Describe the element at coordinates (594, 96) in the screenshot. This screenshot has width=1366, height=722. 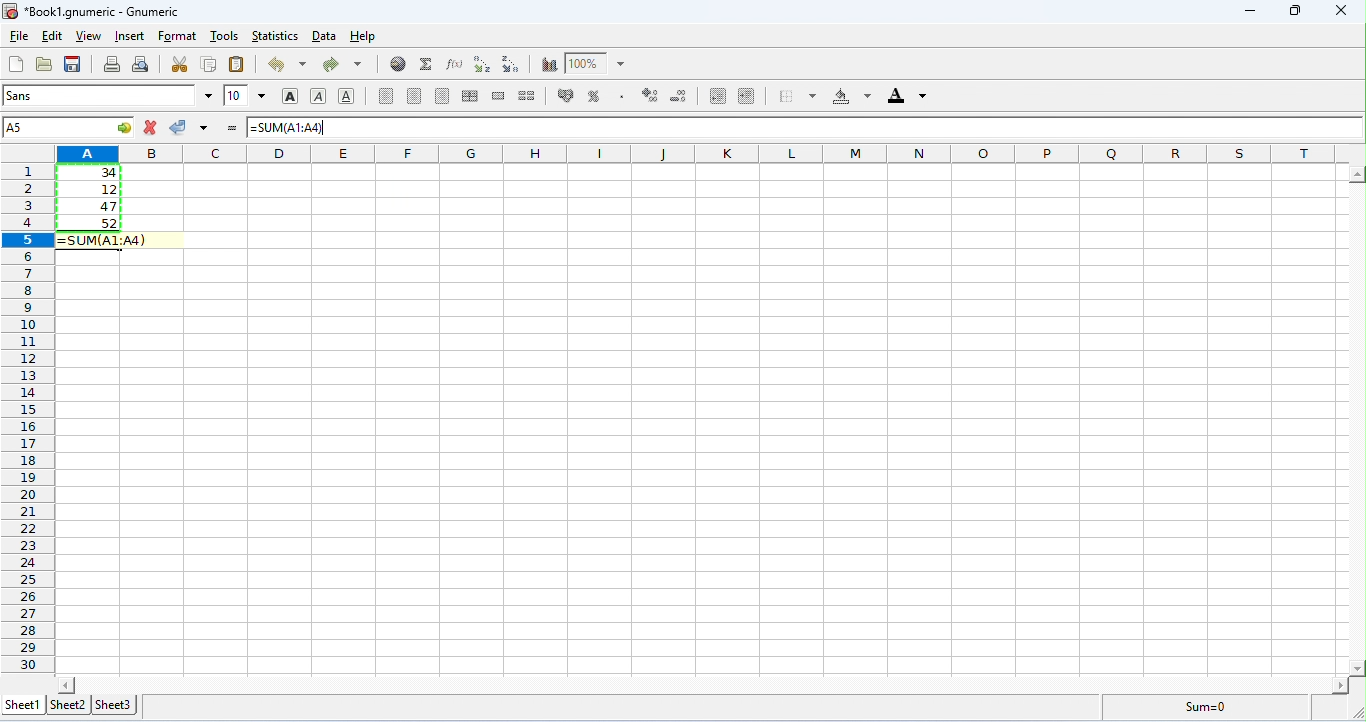
I see `format as percent` at that location.